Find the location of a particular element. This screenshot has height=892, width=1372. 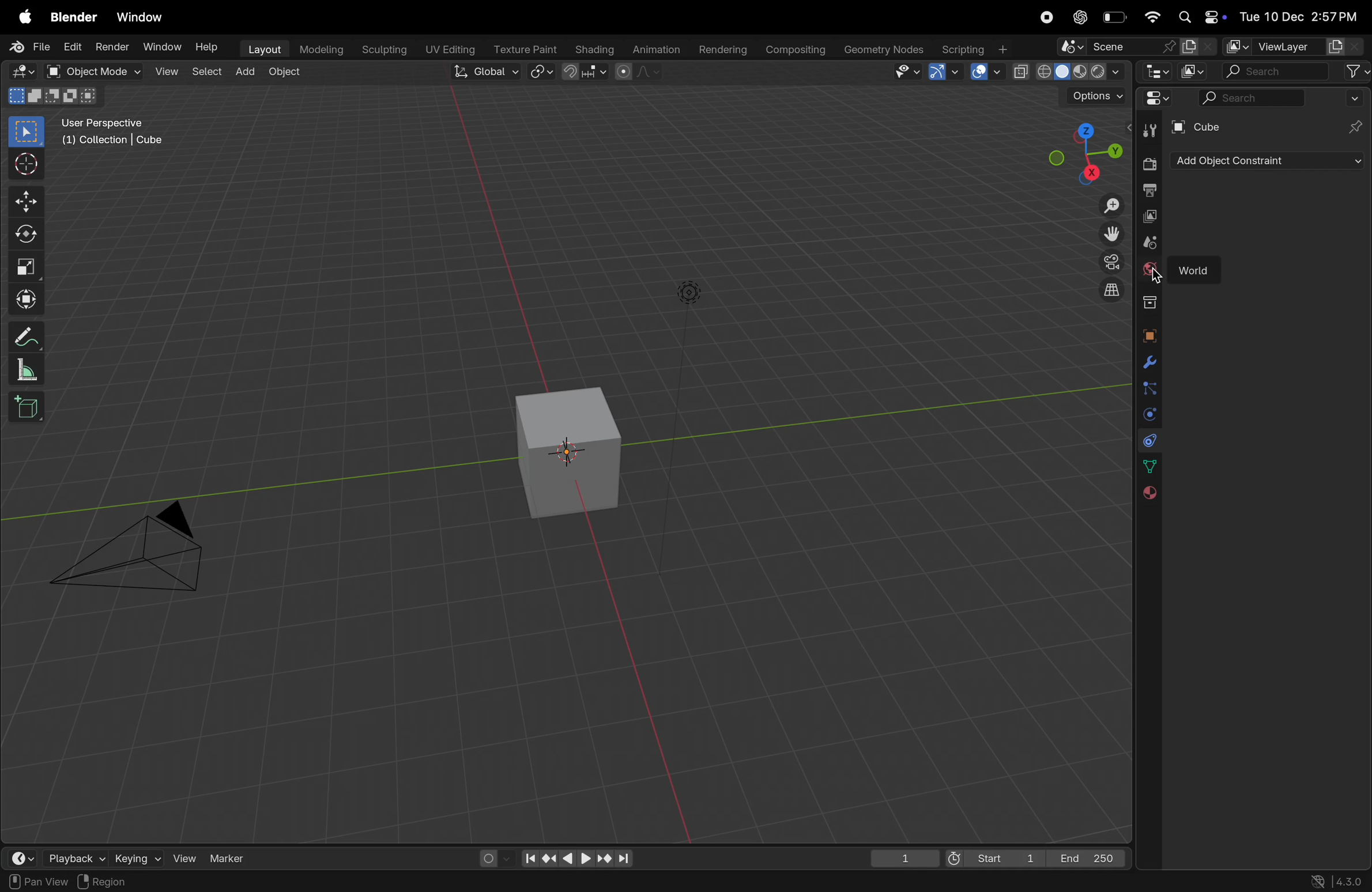

copy is located at coordinates (1149, 217).